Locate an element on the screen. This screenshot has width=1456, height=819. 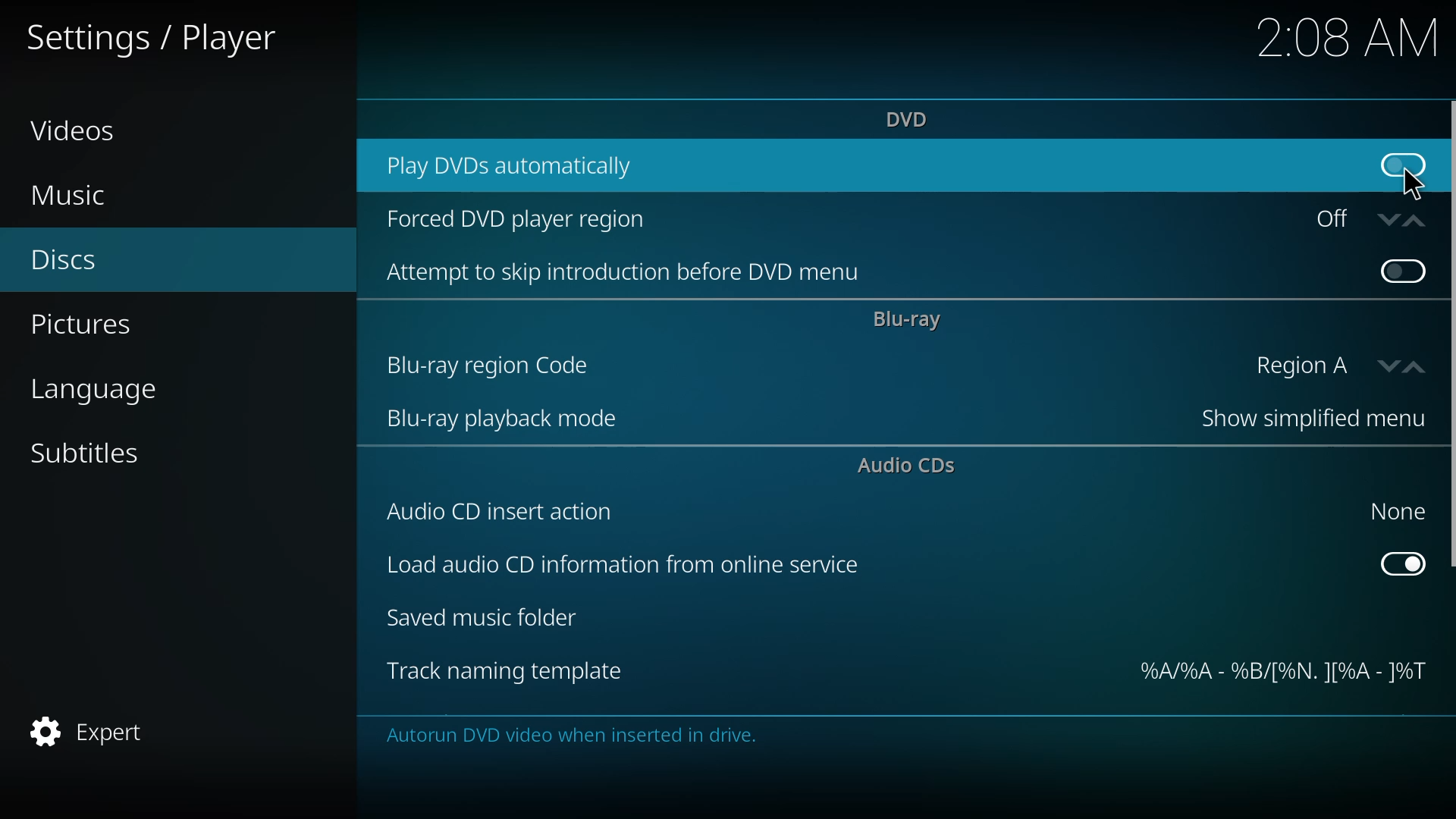
subtitles is located at coordinates (88, 453).